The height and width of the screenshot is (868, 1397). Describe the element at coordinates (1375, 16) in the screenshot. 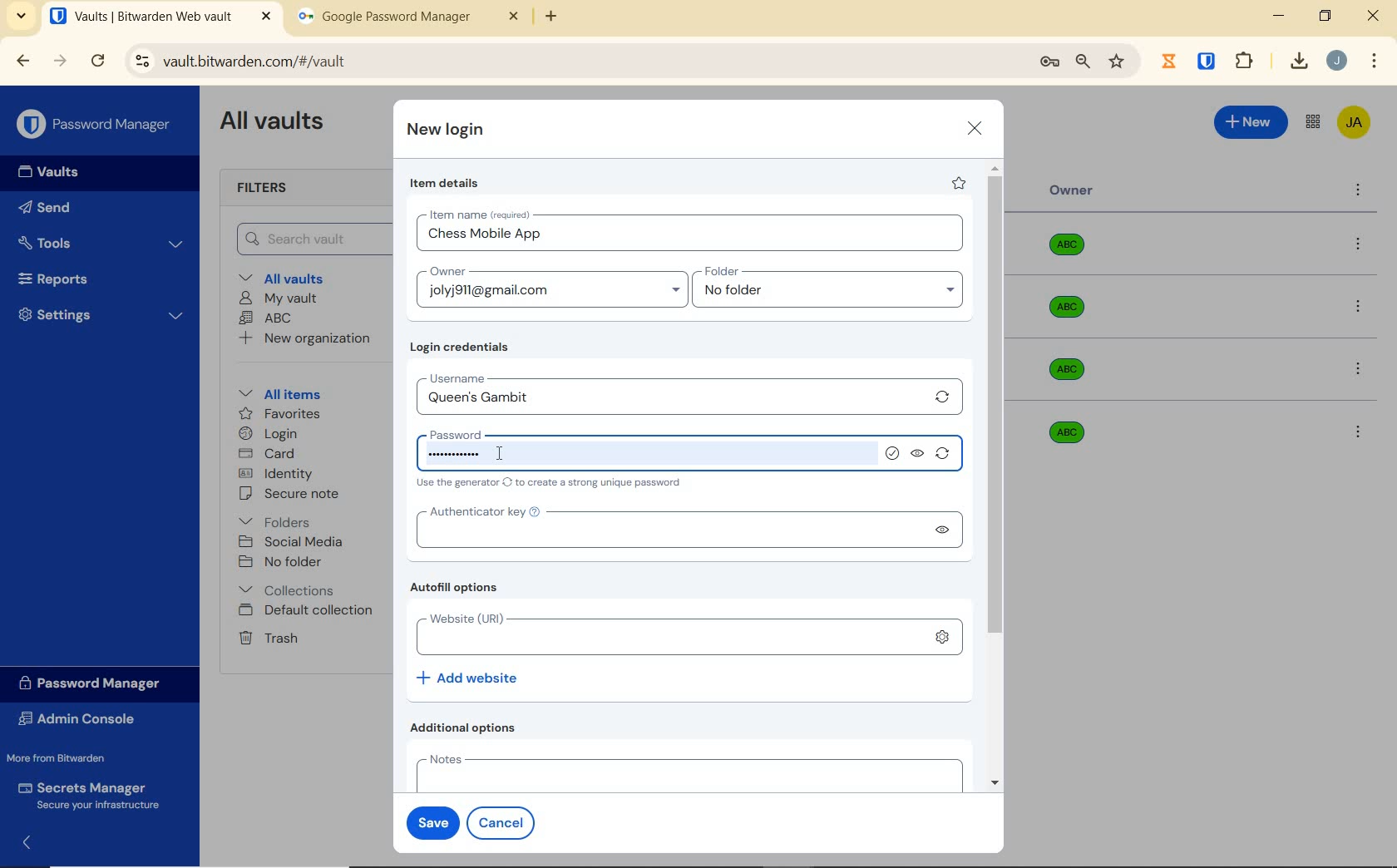

I see `close` at that location.